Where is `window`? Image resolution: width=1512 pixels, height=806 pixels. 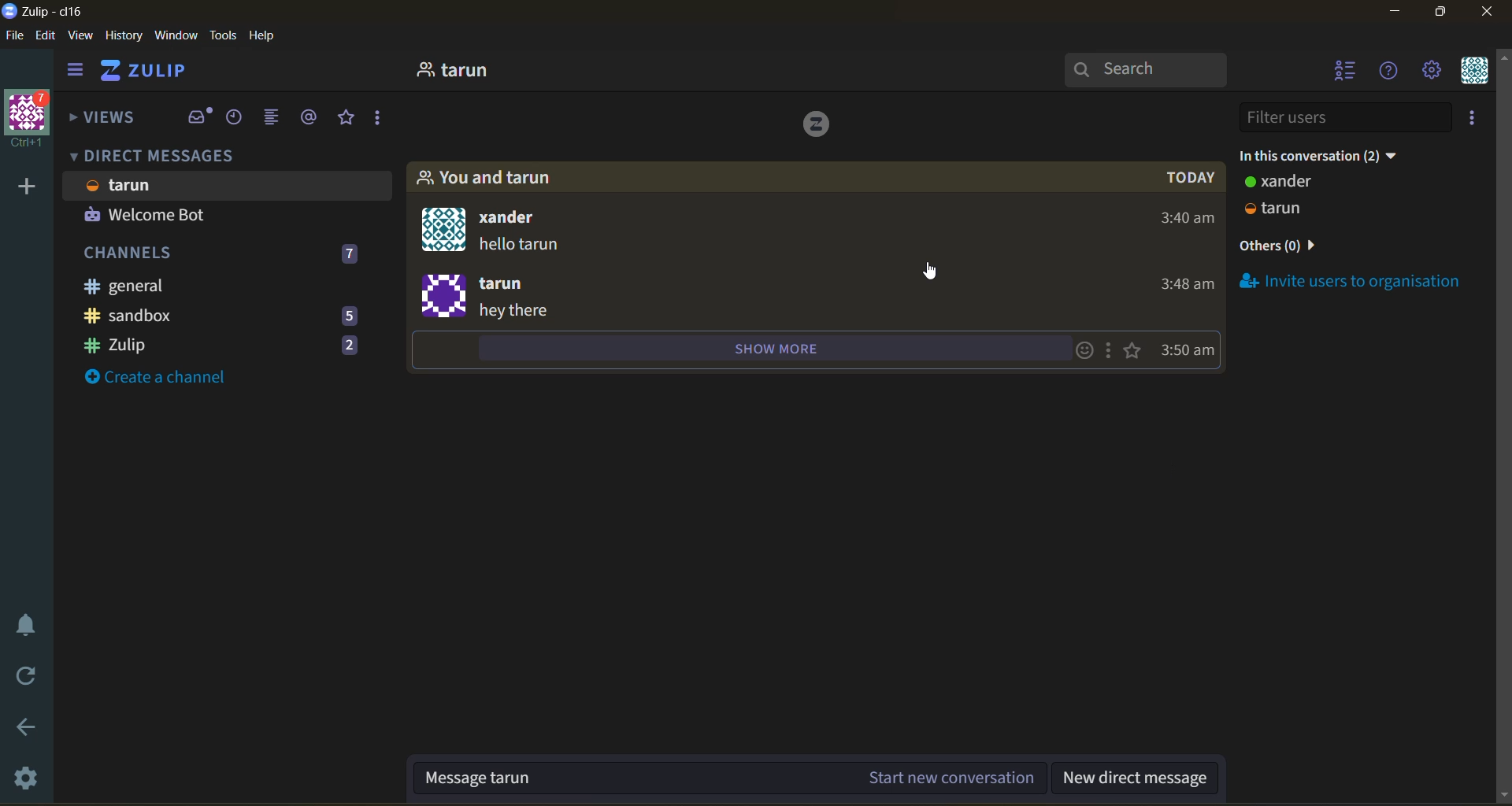
window is located at coordinates (178, 38).